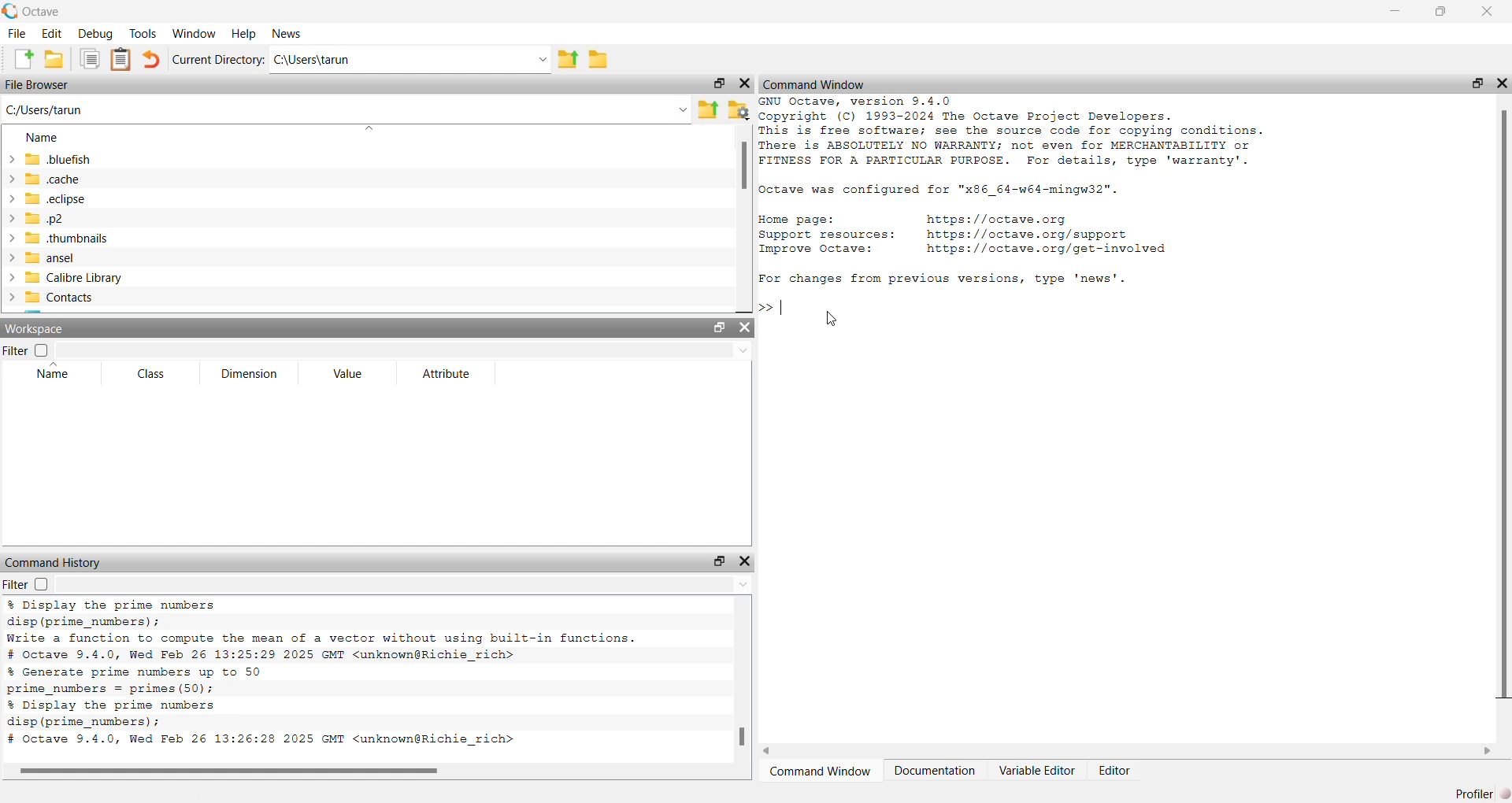 The width and height of the screenshot is (1512, 803). I want to click on Home page: https://octave.org
Support resources:  https://octave.org/support
Improve Octave: https://octave.org/get—involved, so click(966, 238).